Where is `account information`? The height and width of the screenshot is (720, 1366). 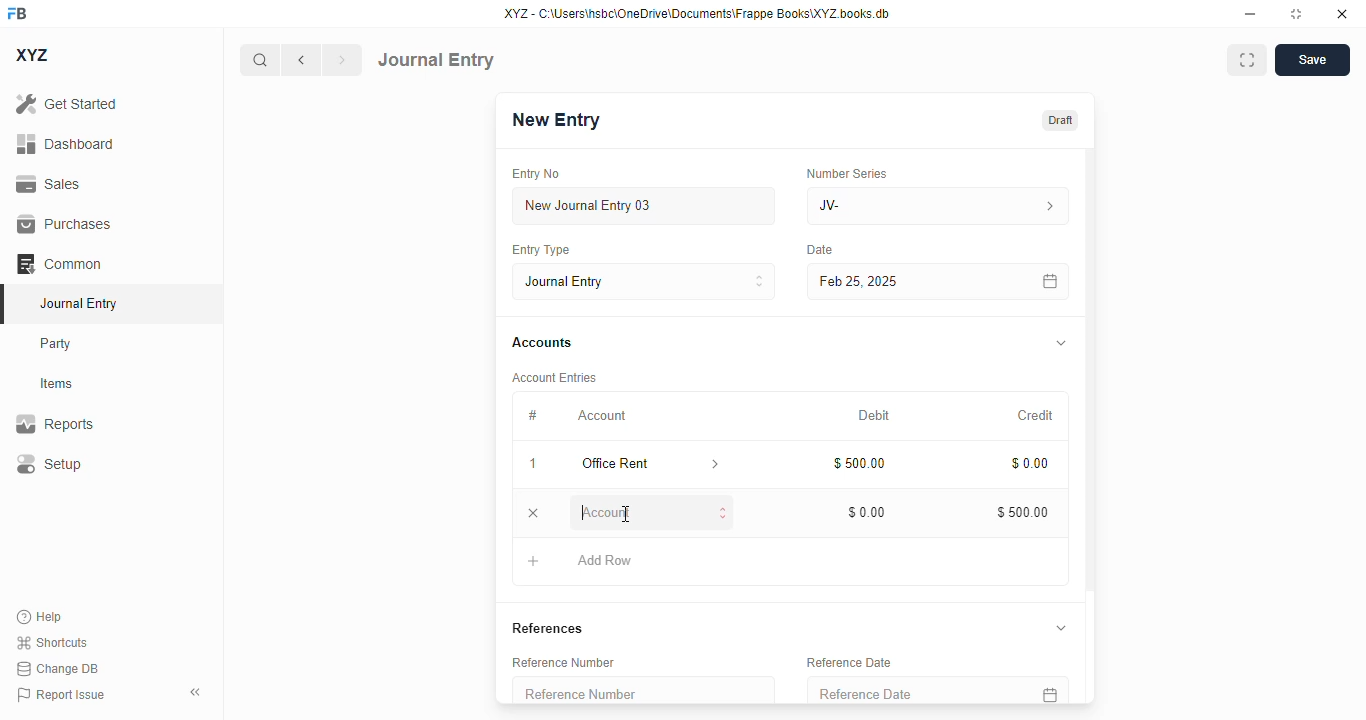
account information is located at coordinates (716, 465).